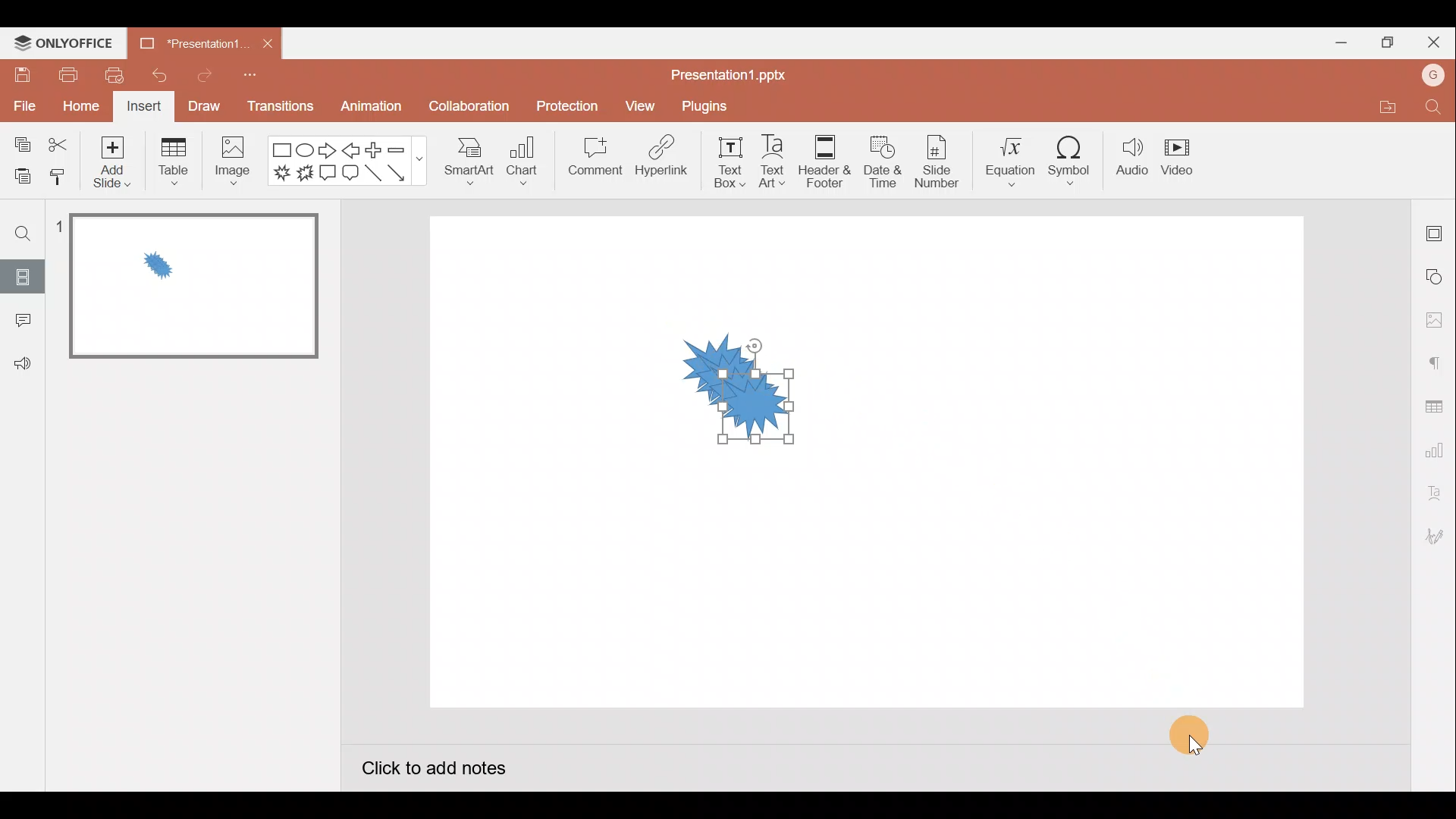 This screenshot has width=1456, height=819. Describe the element at coordinates (1436, 447) in the screenshot. I see `Chart settings` at that location.